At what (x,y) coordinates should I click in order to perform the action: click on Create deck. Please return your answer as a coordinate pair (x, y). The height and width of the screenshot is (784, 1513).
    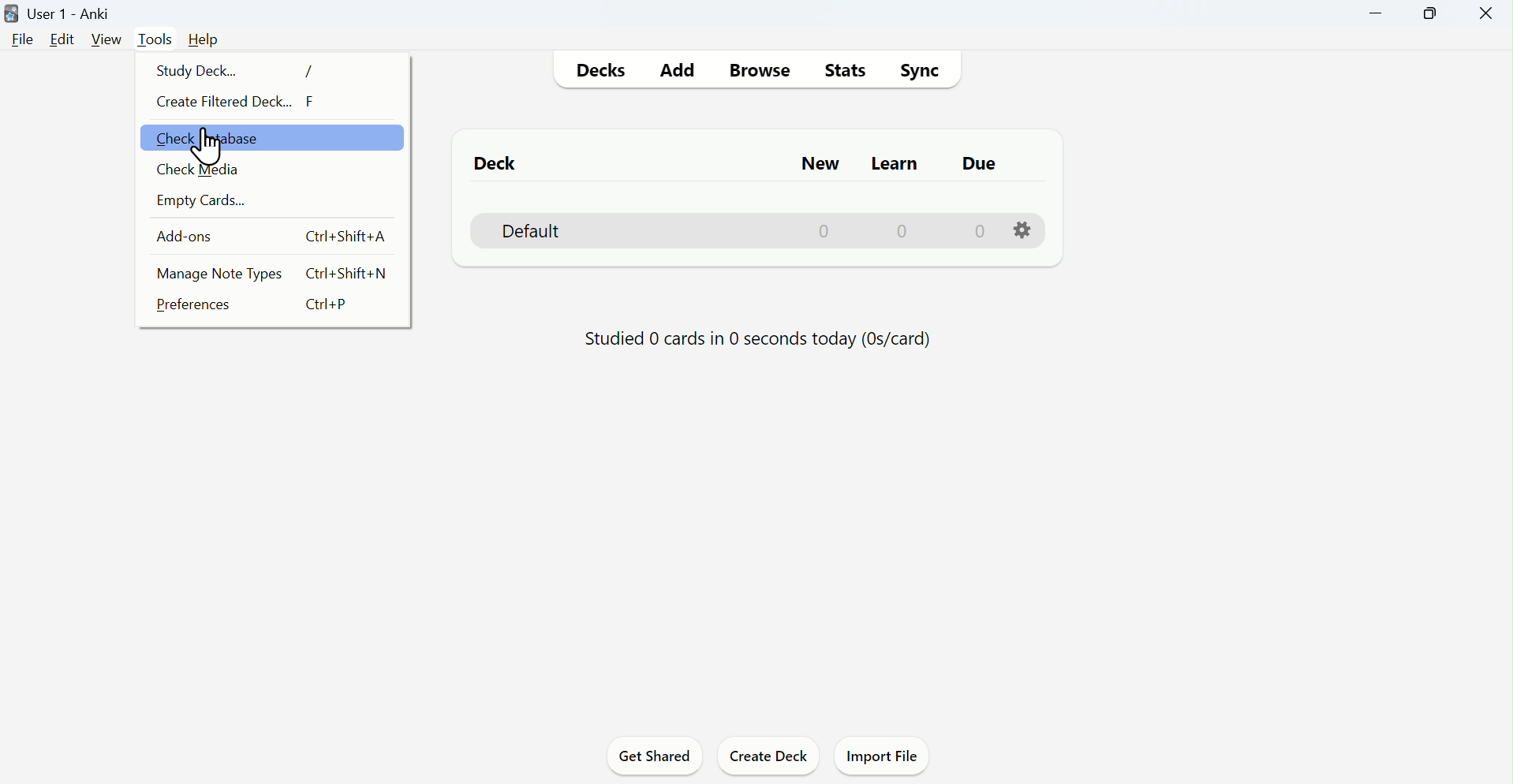
    Looking at the image, I should click on (767, 756).